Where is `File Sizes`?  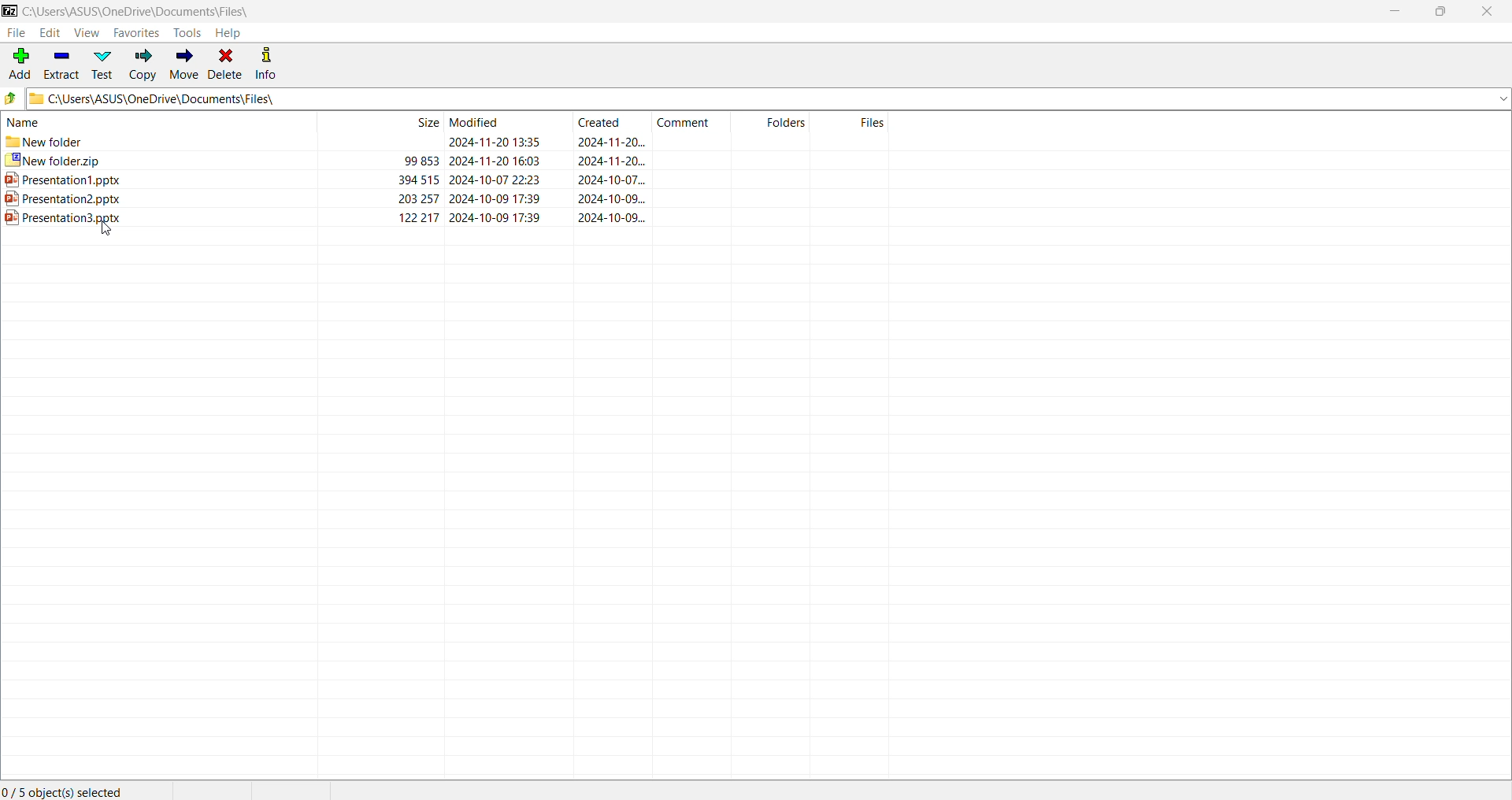 File Sizes is located at coordinates (381, 122).